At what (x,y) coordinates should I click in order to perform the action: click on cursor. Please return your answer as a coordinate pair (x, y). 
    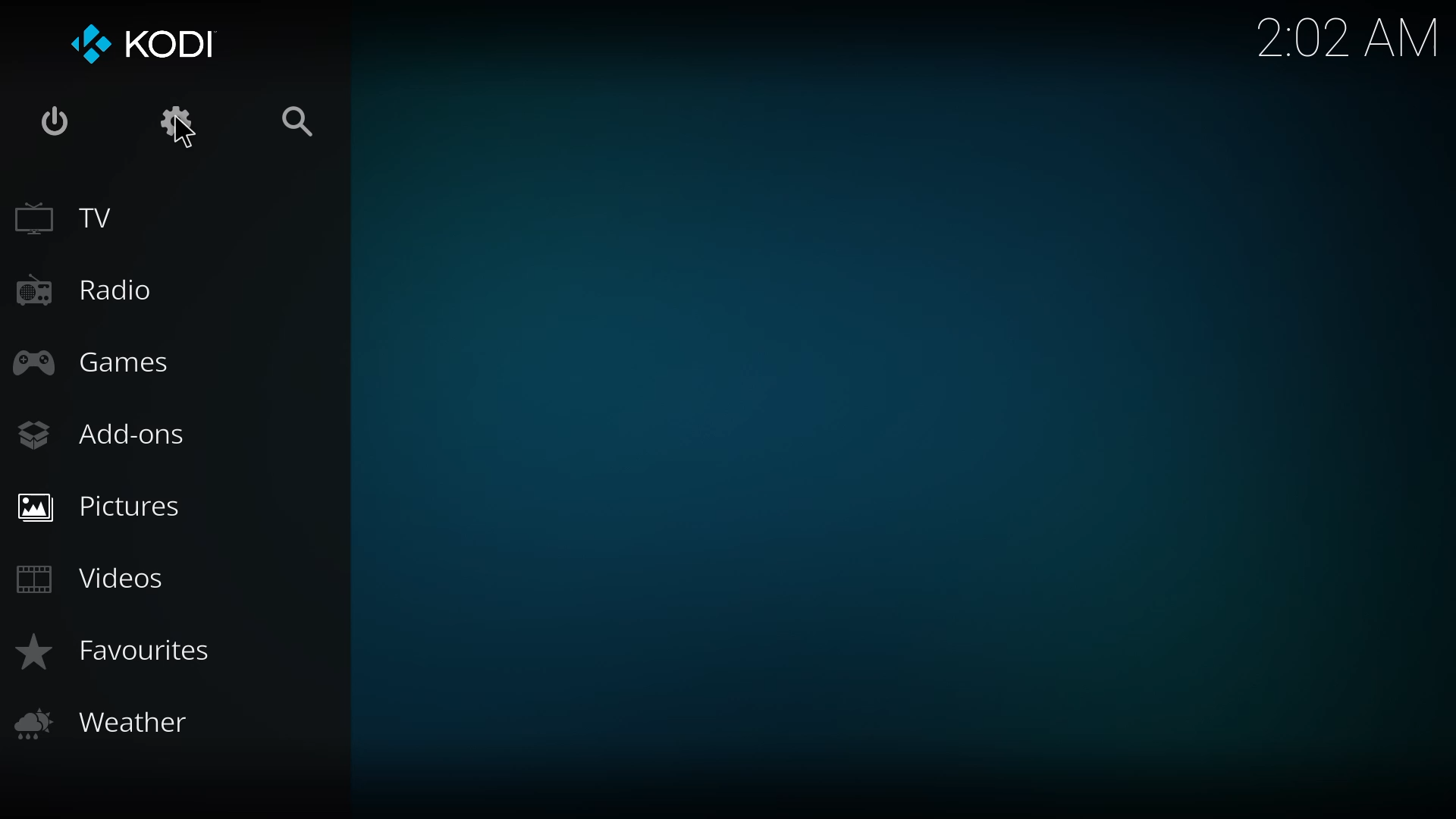
    Looking at the image, I should click on (187, 132).